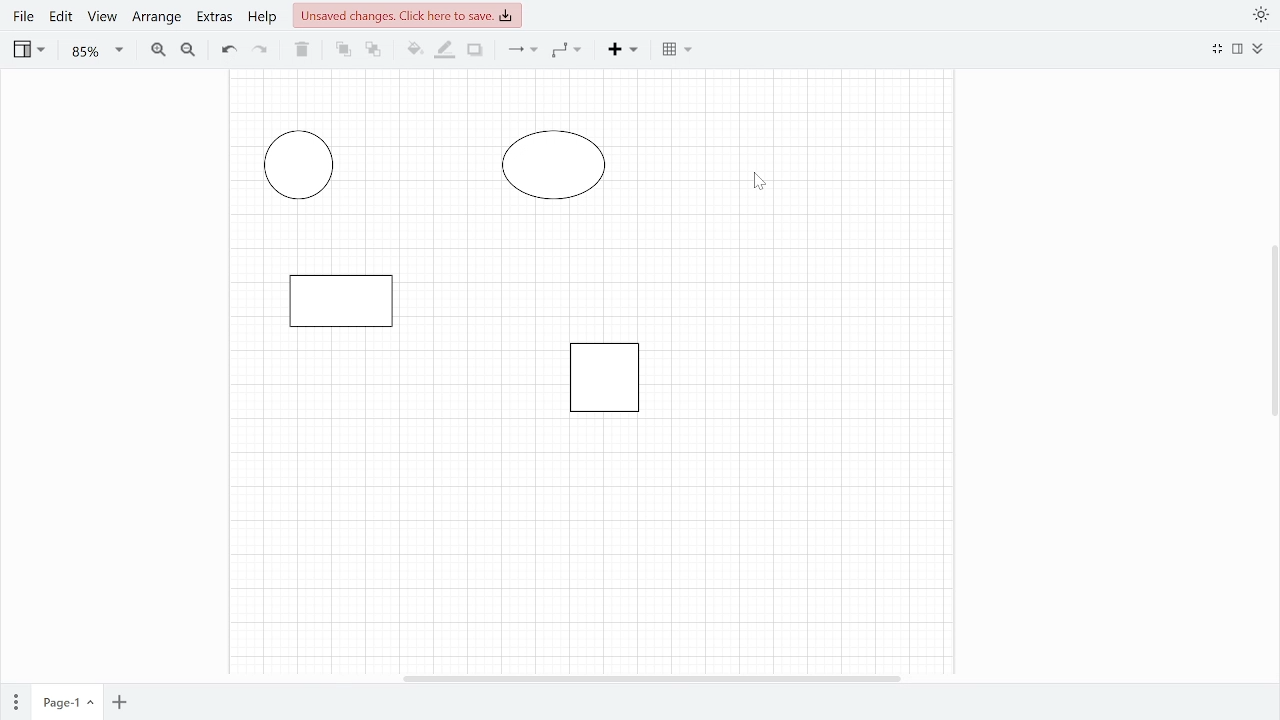  What do you see at coordinates (340, 298) in the screenshot?
I see `Rectangle` at bounding box center [340, 298].